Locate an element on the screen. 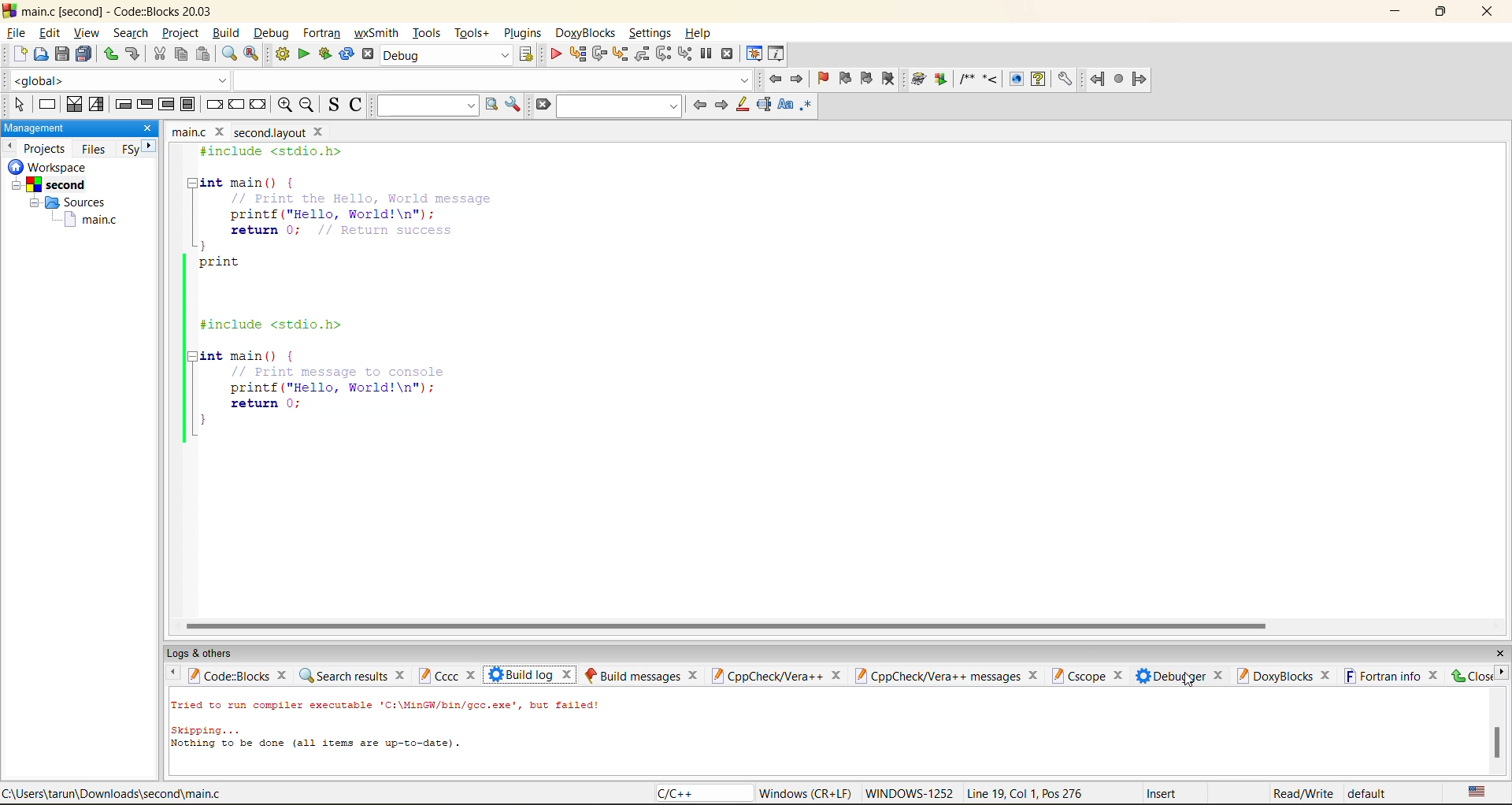 This screenshot has width=1512, height=805. doxyblocks is located at coordinates (1284, 677).